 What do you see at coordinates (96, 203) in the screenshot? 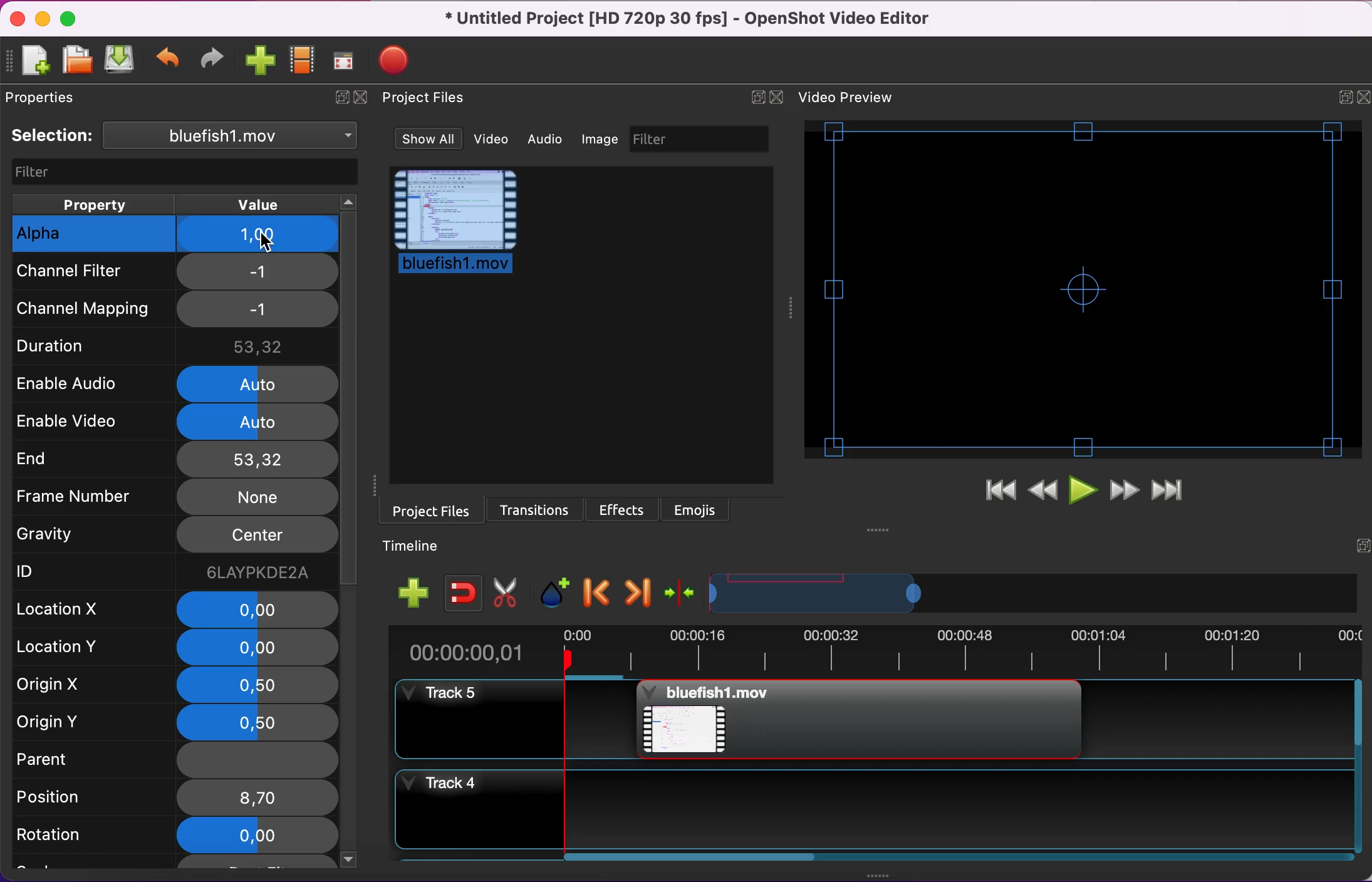
I see `property` at bounding box center [96, 203].